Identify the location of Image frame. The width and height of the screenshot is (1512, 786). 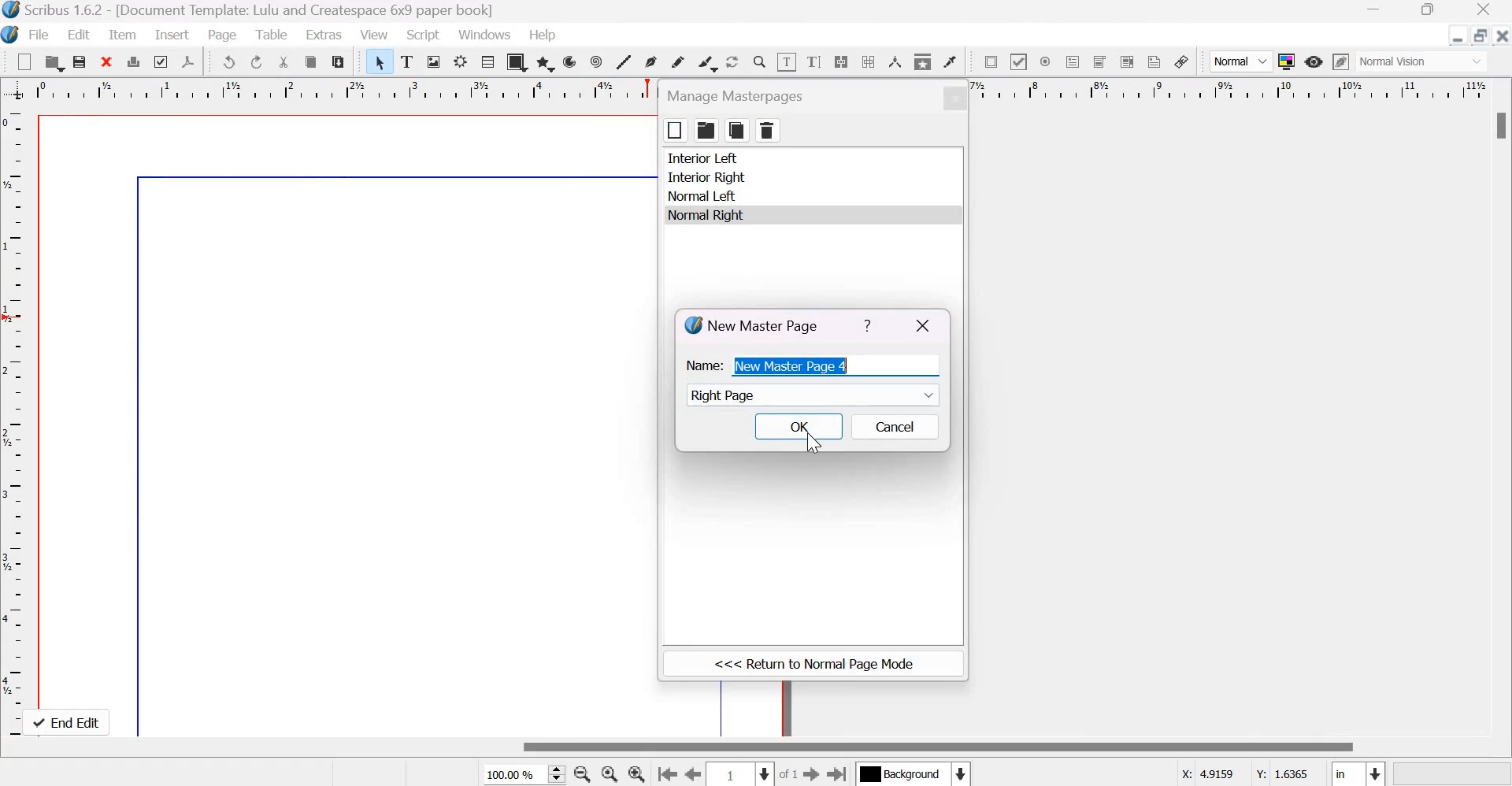
(434, 63).